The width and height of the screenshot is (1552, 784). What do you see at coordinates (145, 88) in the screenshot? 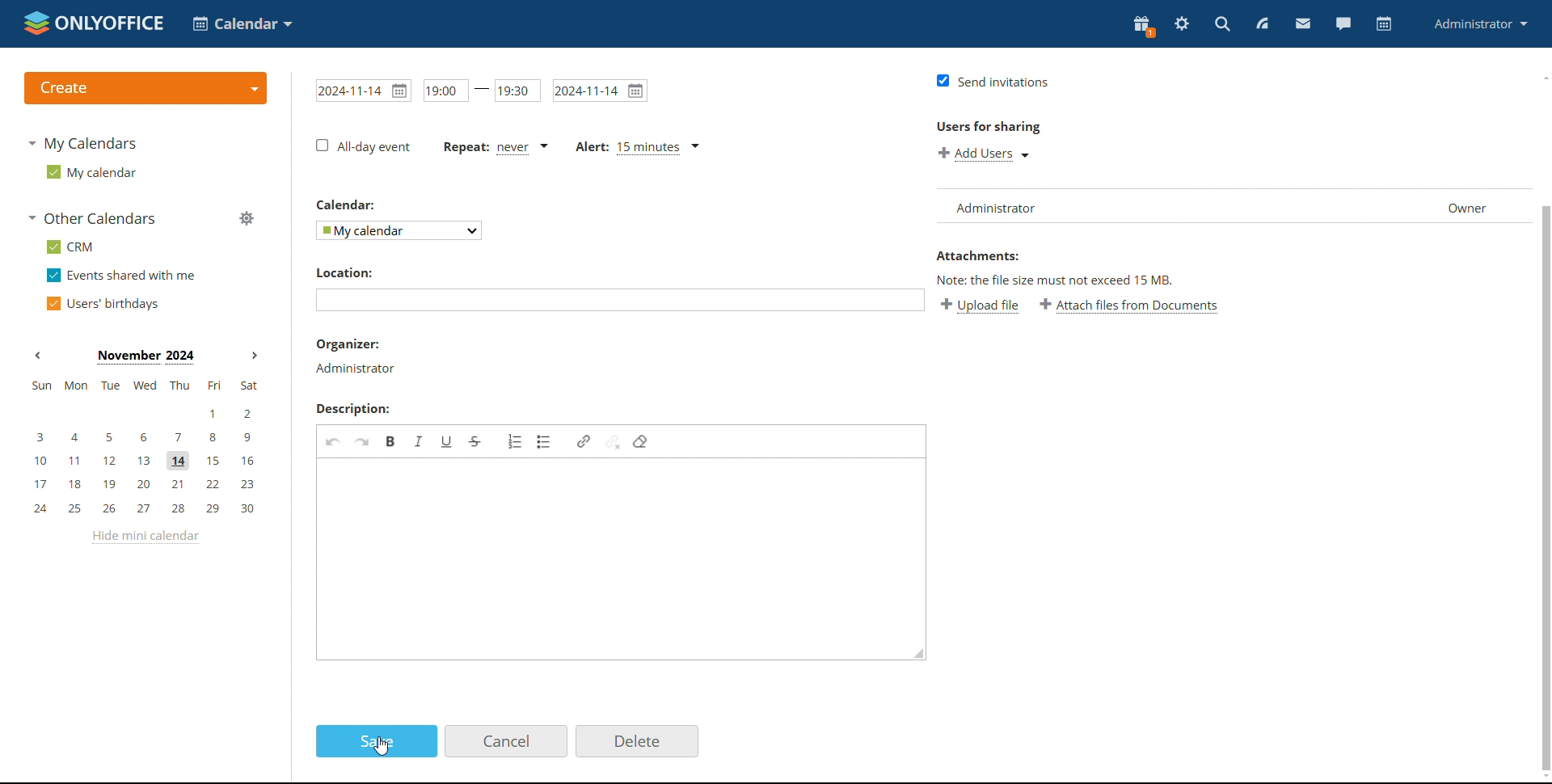
I see `create` at bounding box center [145, 88].